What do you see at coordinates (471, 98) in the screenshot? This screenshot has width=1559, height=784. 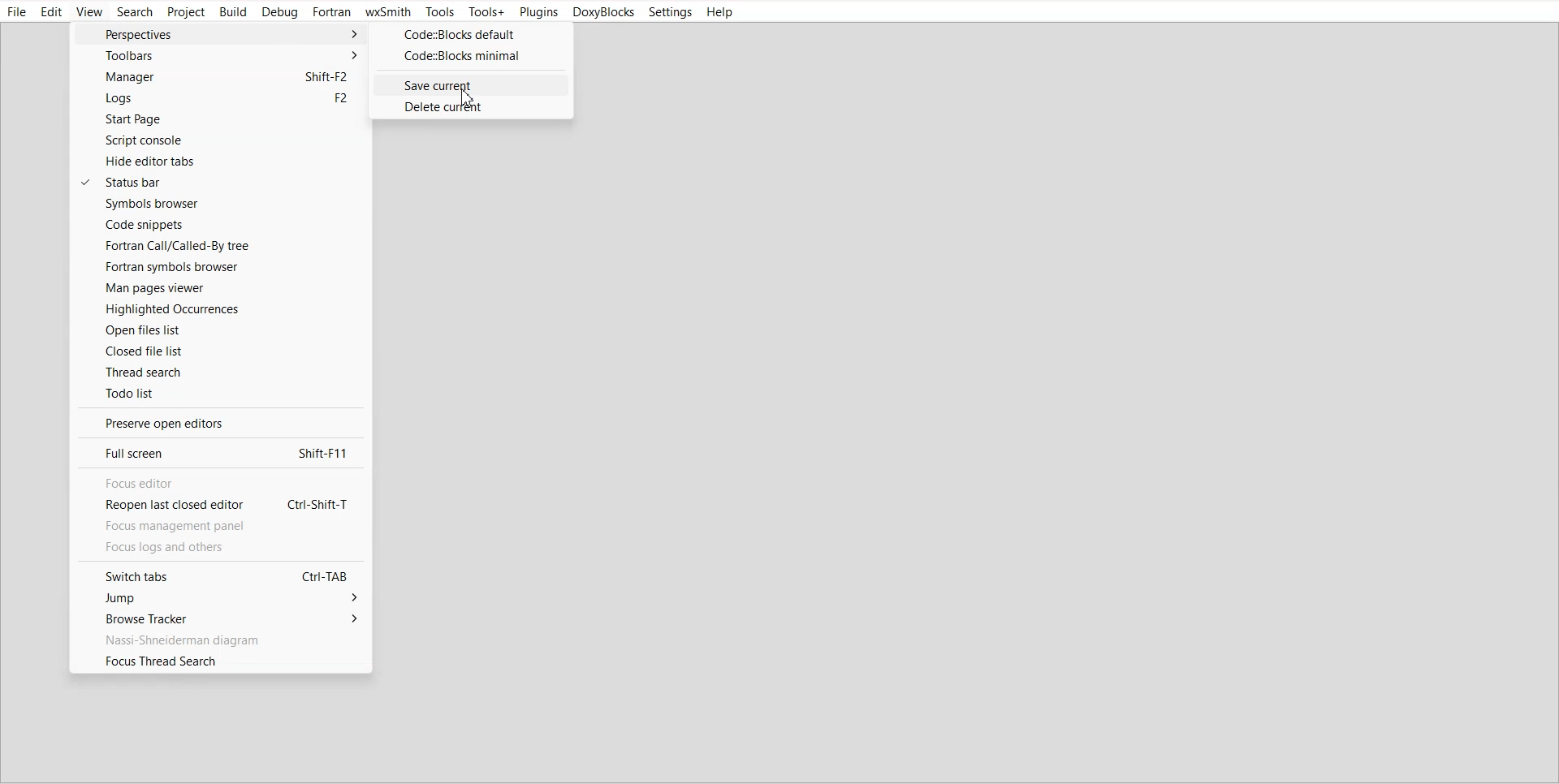 I see `Cursor` at bounding box center [471, 98].